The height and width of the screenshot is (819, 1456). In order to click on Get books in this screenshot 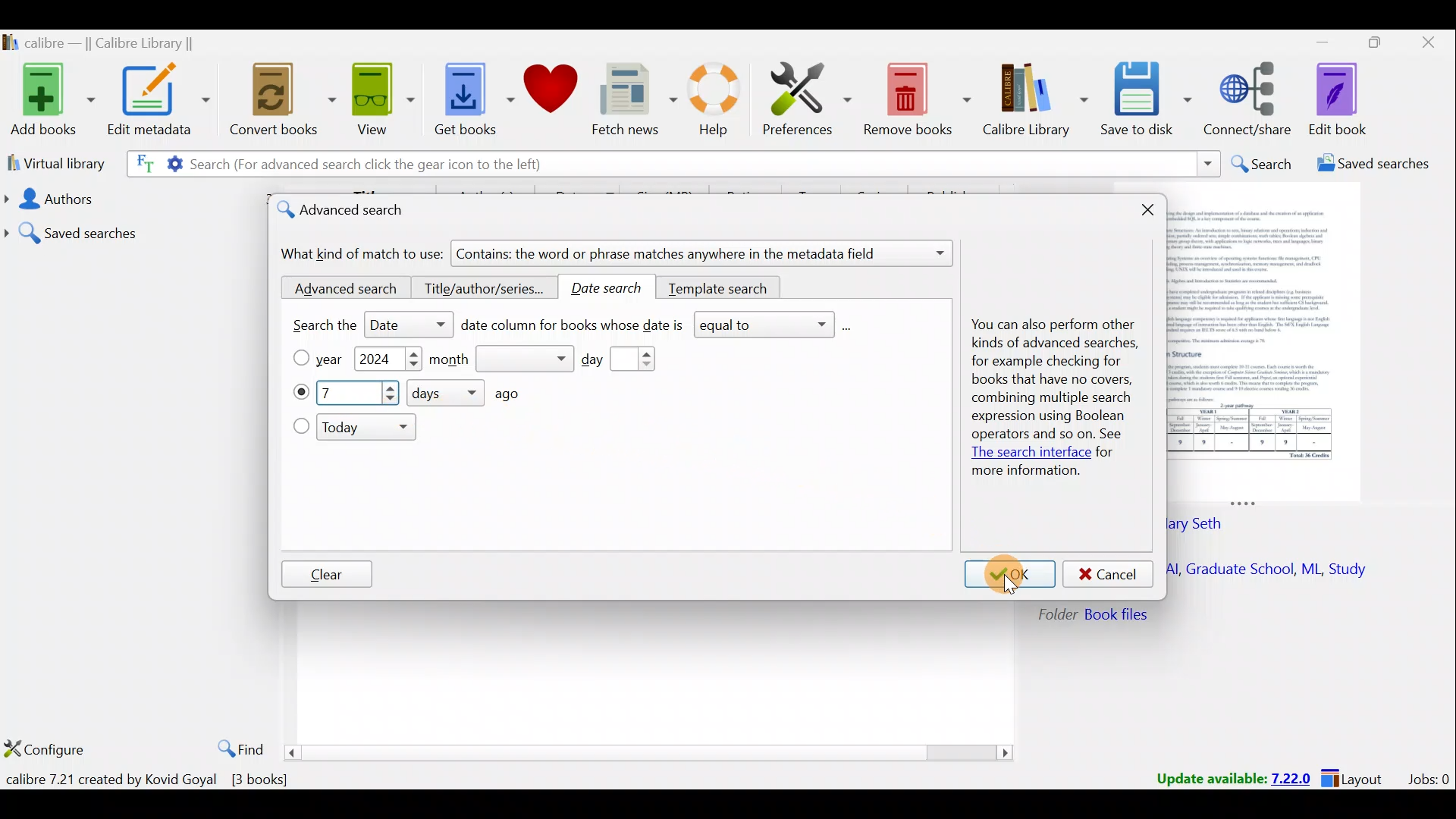, I will do `click(468, 97)`.